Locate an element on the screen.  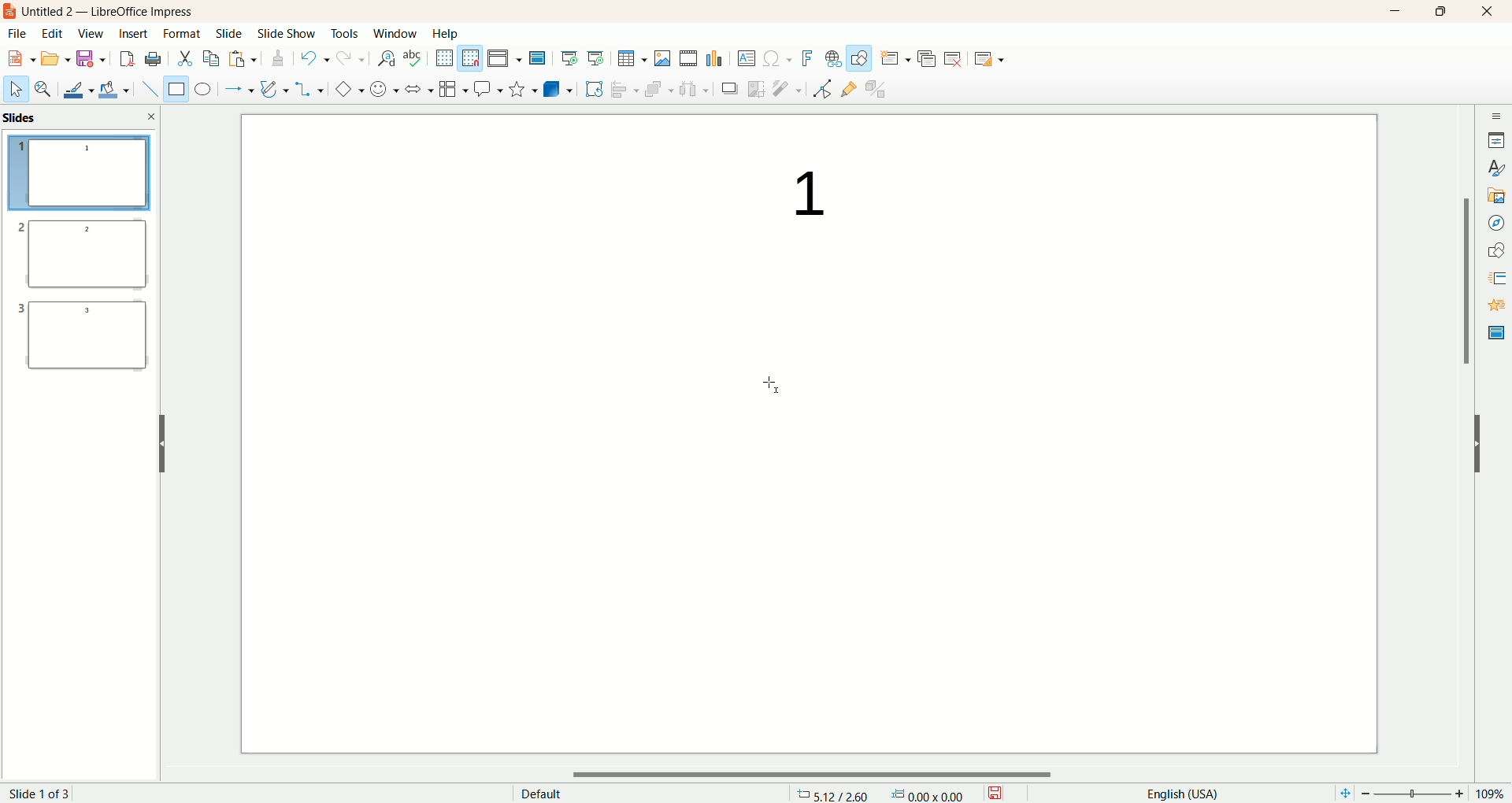
clone formatting is located at coordinates (276, 59).